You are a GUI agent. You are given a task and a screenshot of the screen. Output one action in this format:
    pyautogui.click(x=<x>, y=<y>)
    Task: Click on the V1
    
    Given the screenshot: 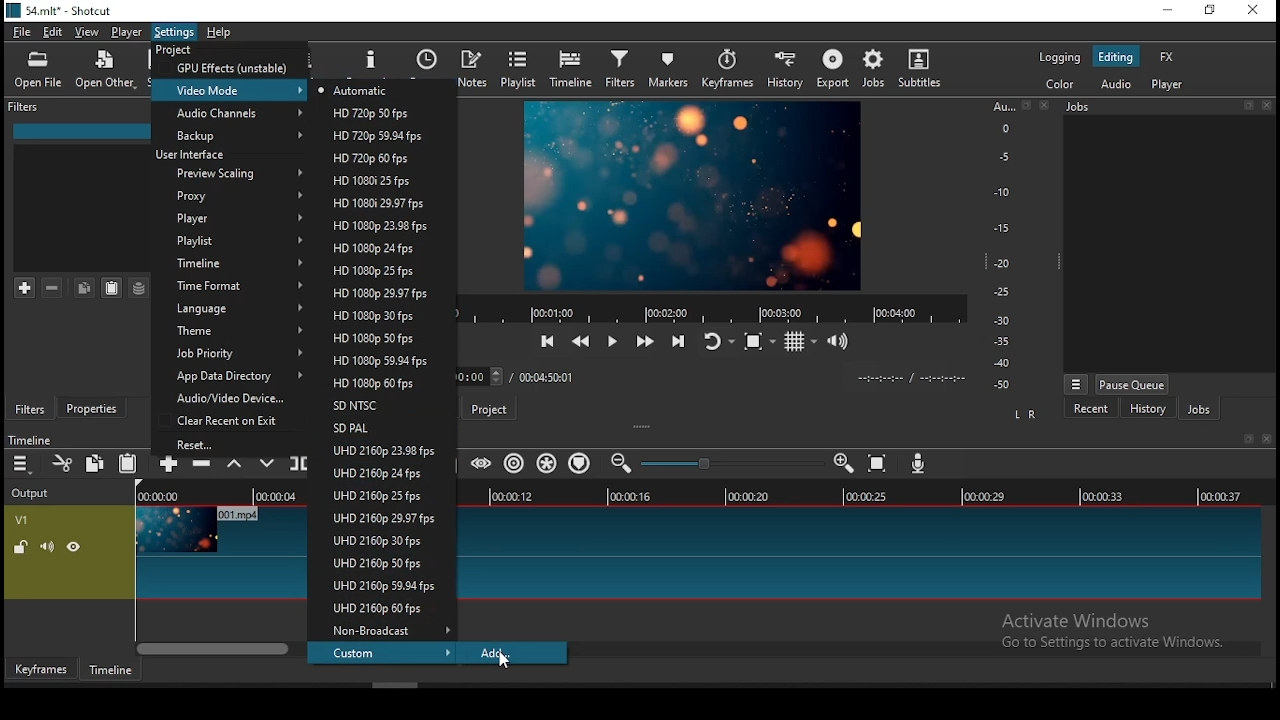 What is the action you would take?
    pyautogui.click(x=20, y=520)
    